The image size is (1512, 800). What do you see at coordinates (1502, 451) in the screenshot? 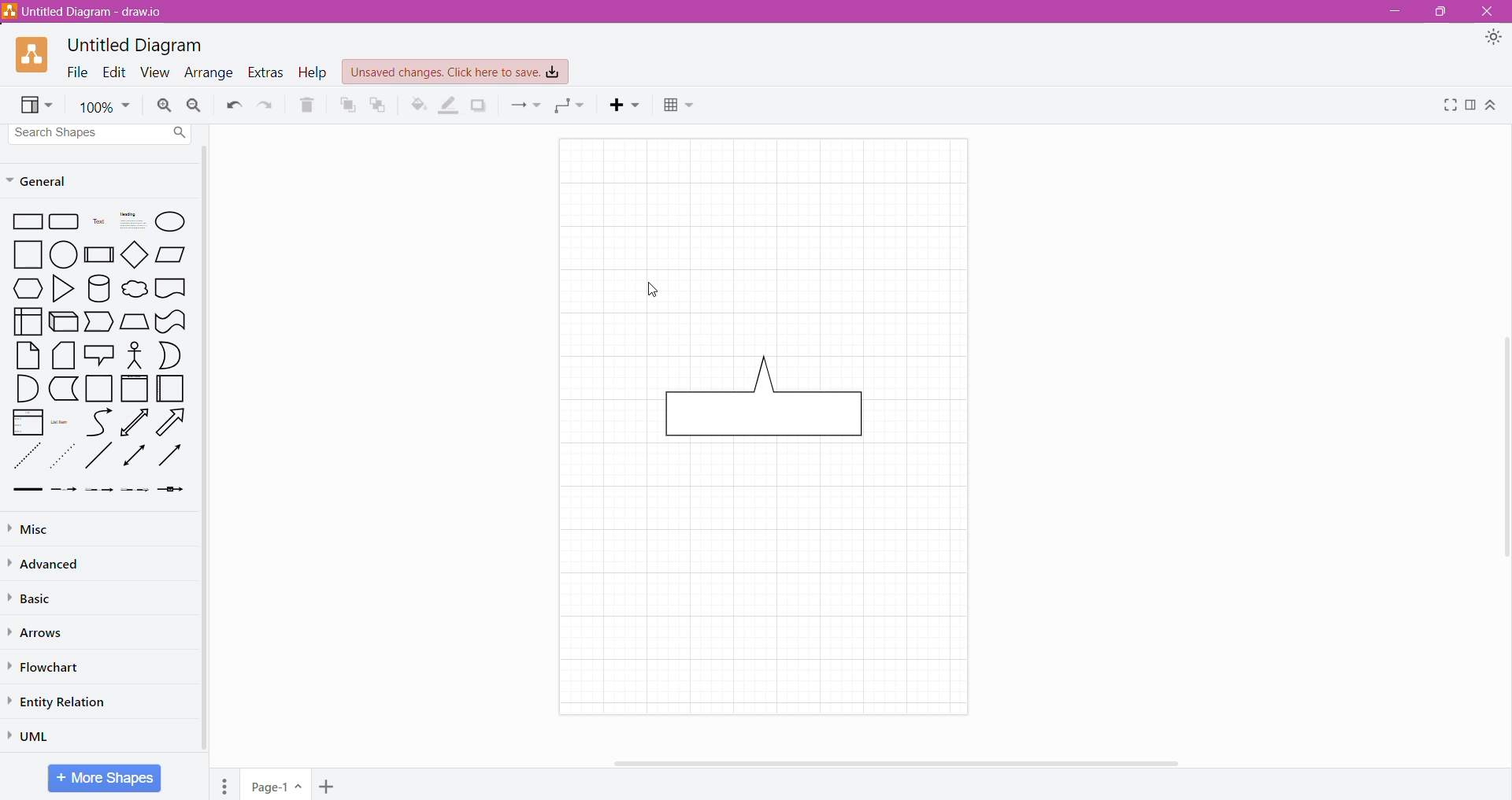
I see `Vertical Scroll Bar` at bounding box center [1502, 451].